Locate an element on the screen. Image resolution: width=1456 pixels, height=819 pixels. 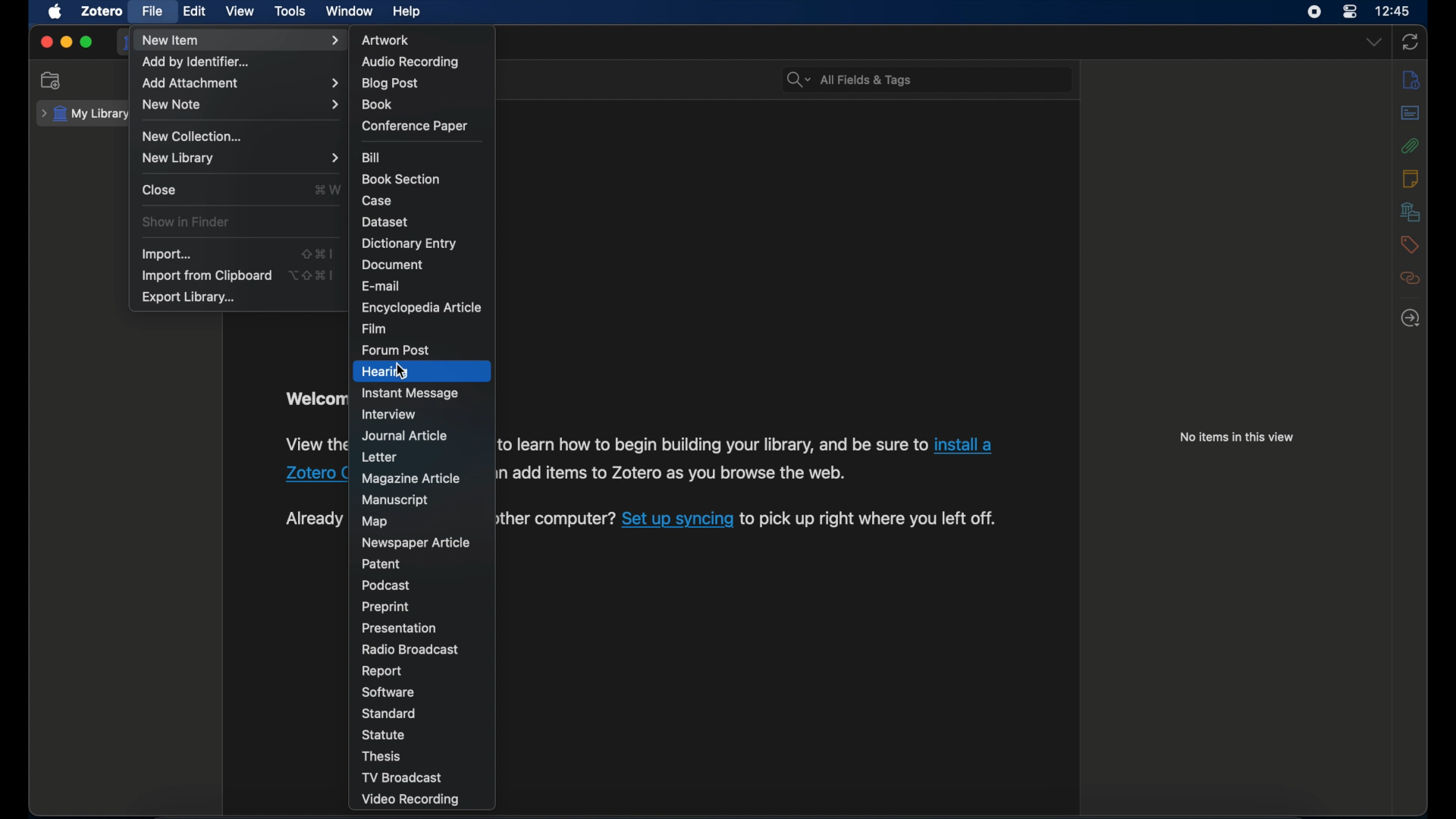
patent is located at coordinates (382, 563).